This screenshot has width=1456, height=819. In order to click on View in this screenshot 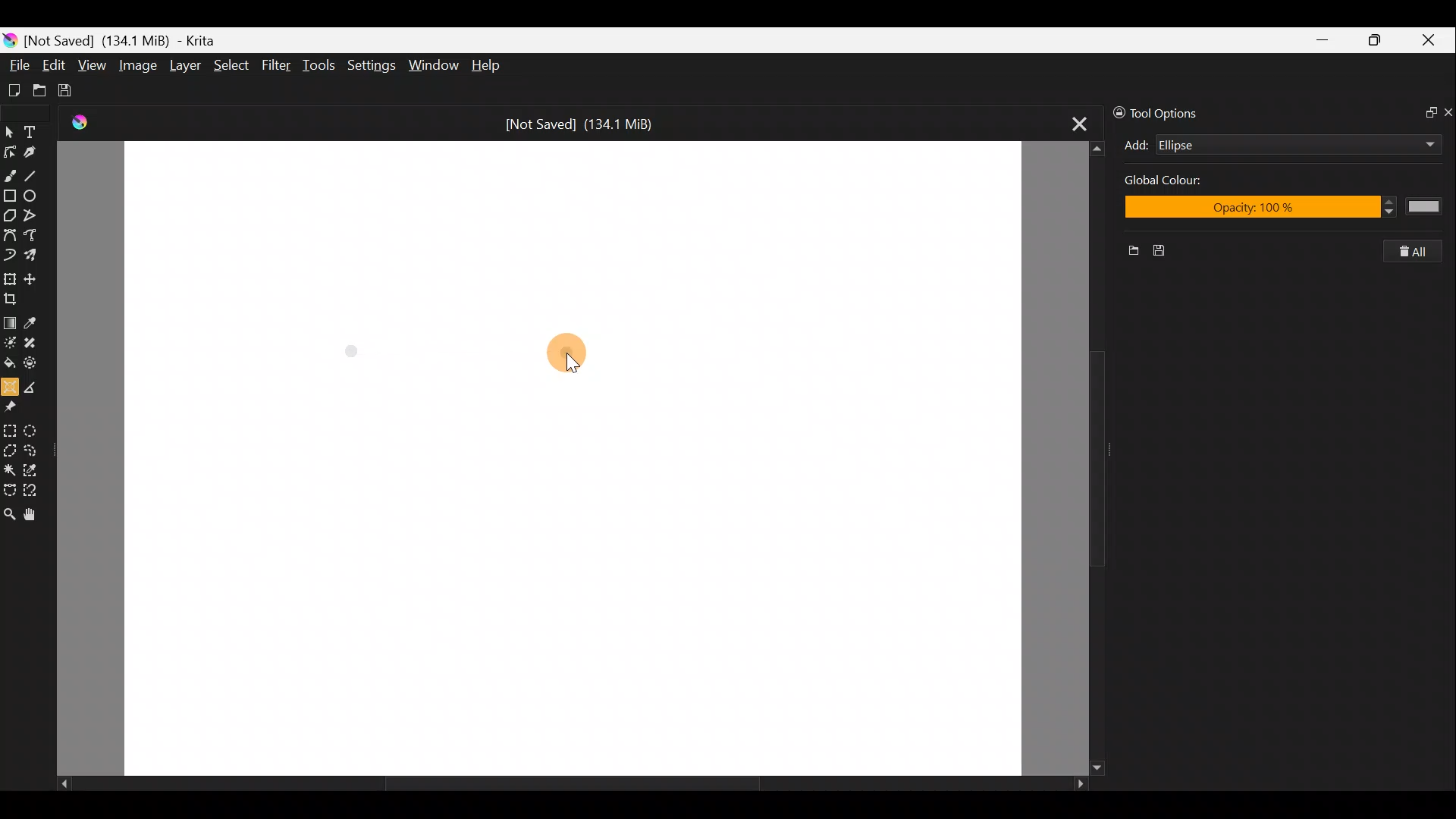, I will do `click(93, 66)`.